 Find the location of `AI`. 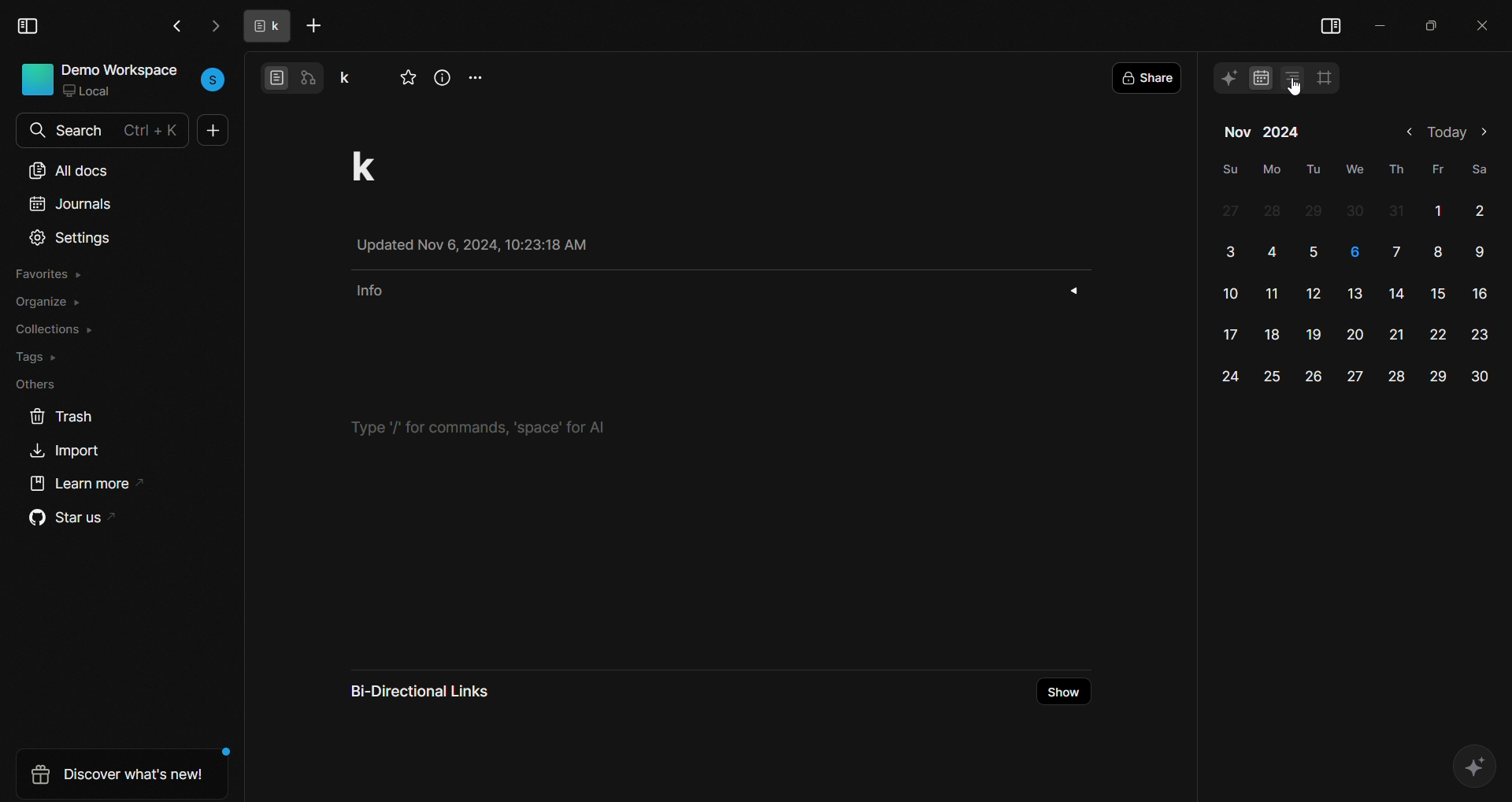

AI is located at coordinates (1475, 763).